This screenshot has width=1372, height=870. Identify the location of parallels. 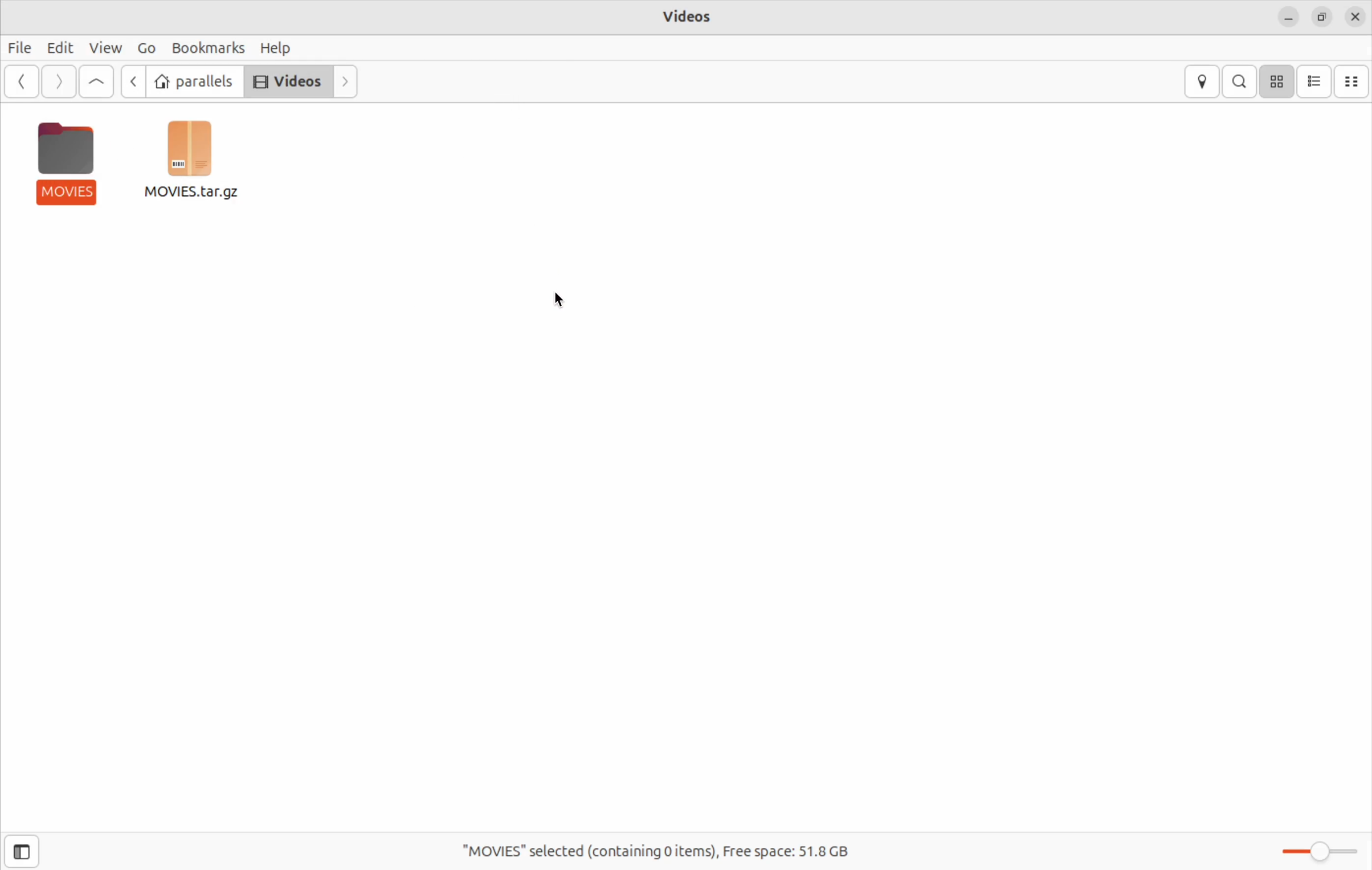
(194, 81).